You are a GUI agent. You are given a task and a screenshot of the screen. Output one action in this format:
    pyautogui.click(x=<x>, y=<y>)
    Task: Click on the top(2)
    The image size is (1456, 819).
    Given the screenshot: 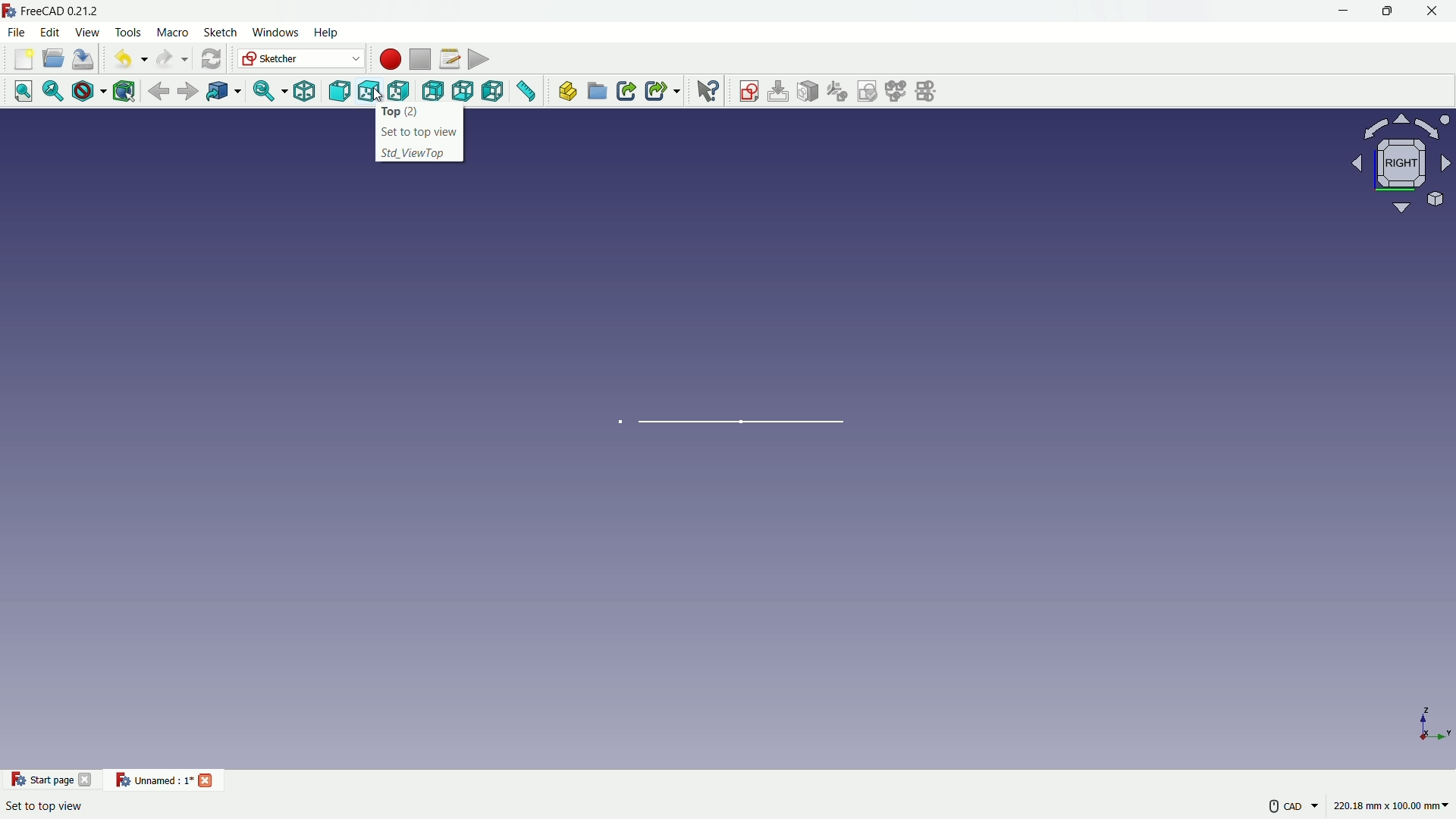 What is the action you would take?
    pyautogui.click(x=418, y=111)
    